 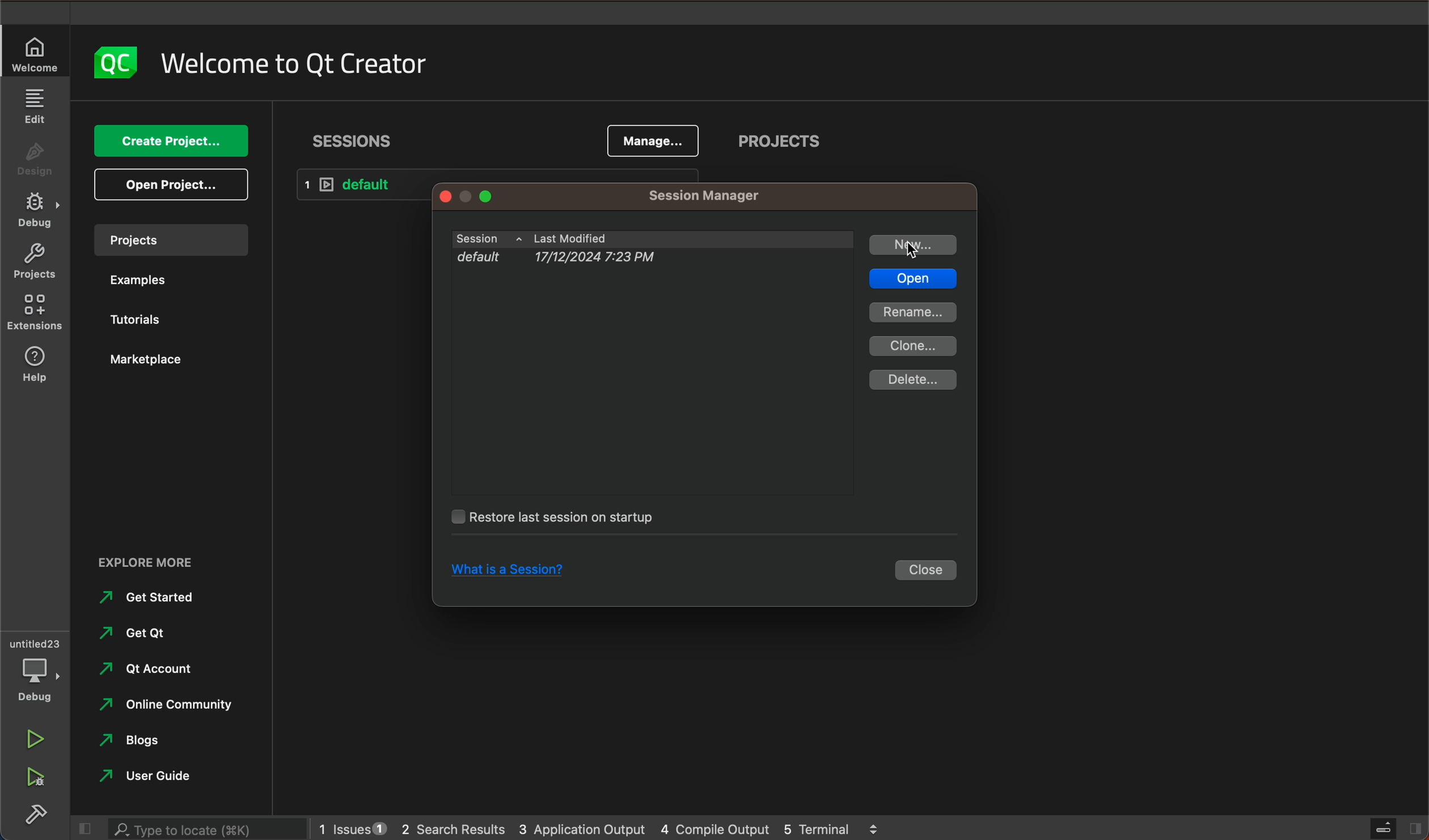 What do you see at coordinates (174, 142) in the screenshot?
I see `create project` at bounding box center [174, 142].